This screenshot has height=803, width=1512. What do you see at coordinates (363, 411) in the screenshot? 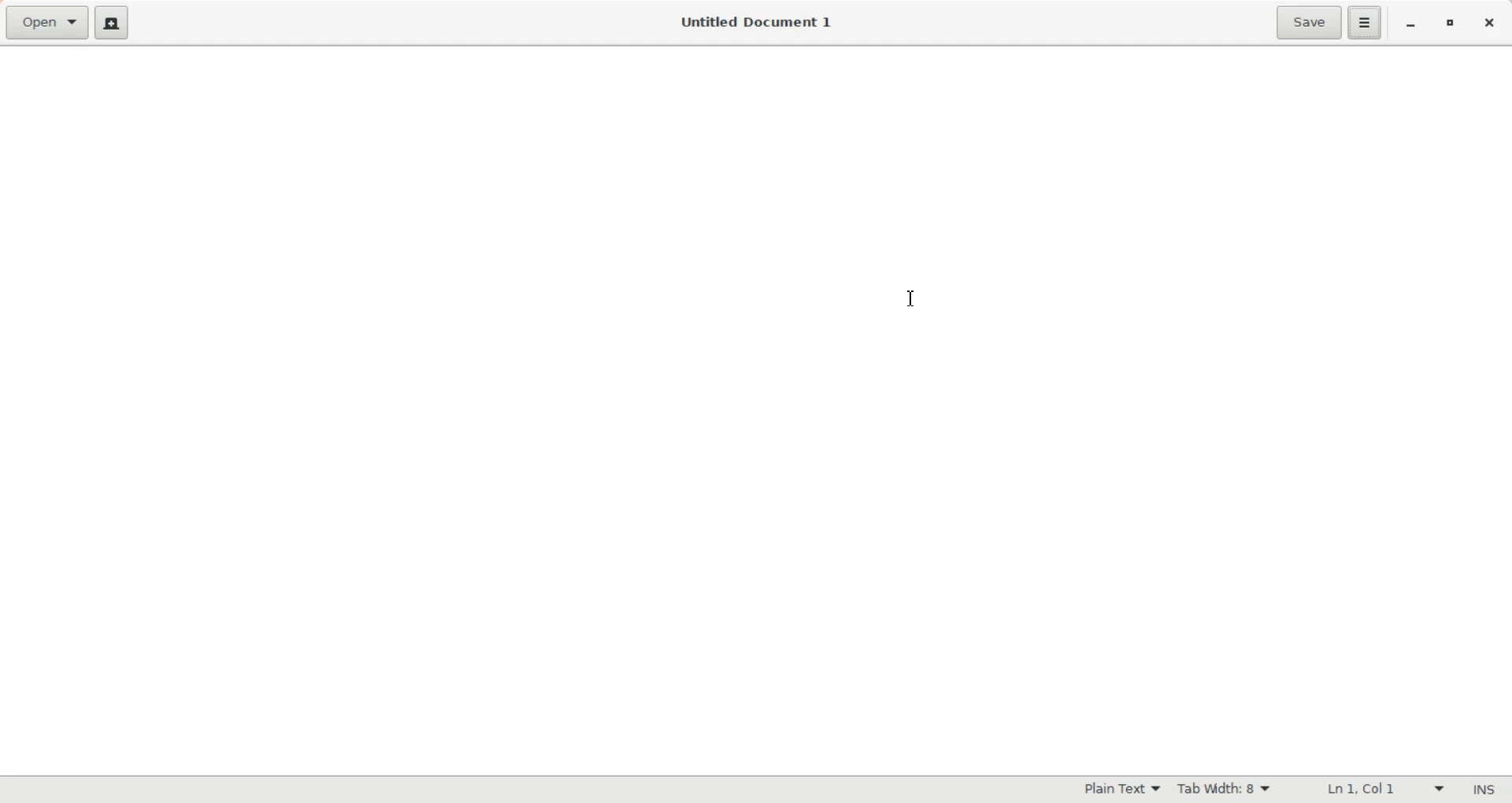
I see `Entry Pane` at bounding box center [363, 411].